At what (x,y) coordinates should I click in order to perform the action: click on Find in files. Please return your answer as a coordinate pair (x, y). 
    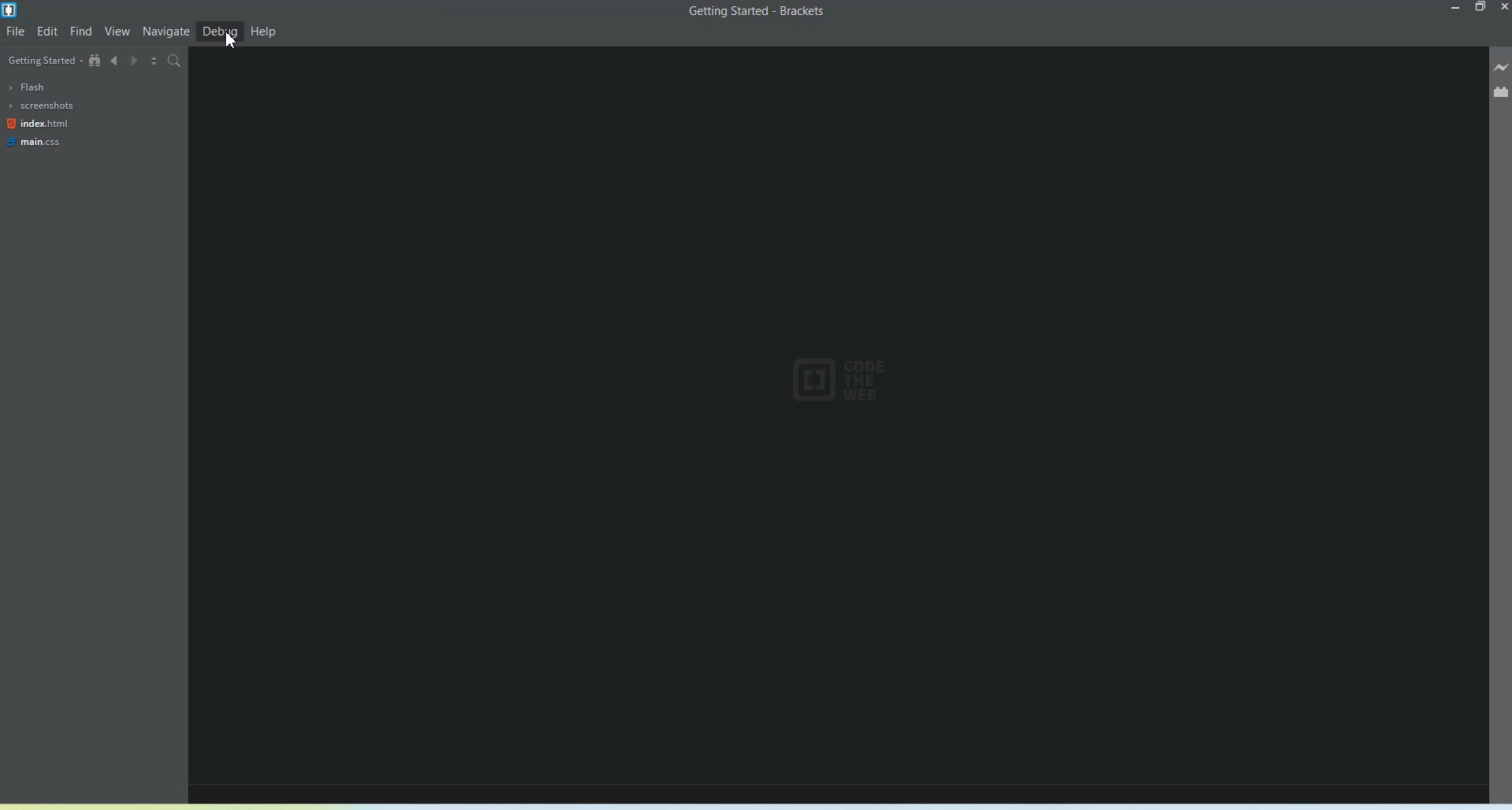
    Looking at the image, I should click on (174, 61).